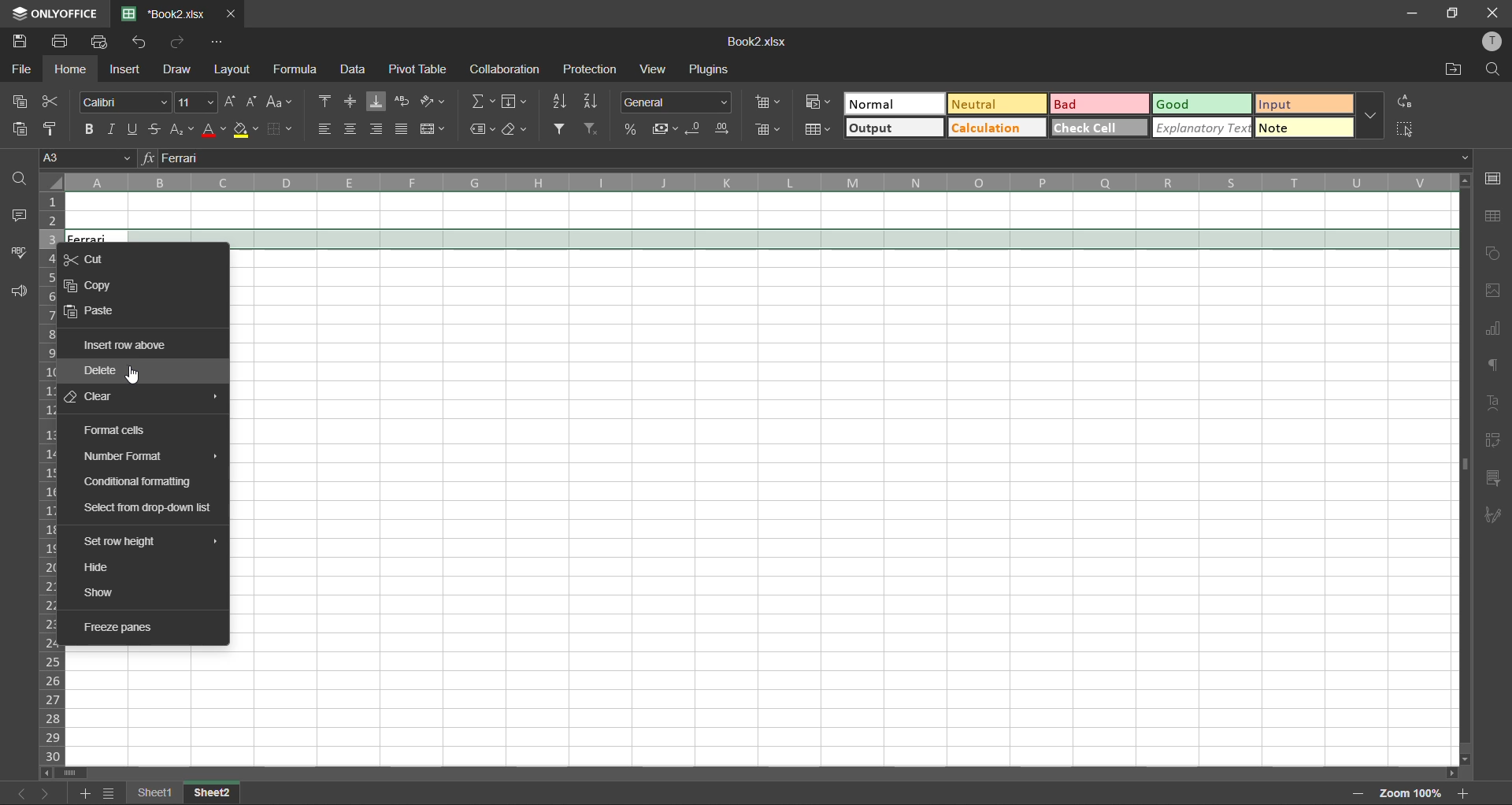 The height and width of the screenshot is (805, 1512). I want to click on note, so click(1299, 129).